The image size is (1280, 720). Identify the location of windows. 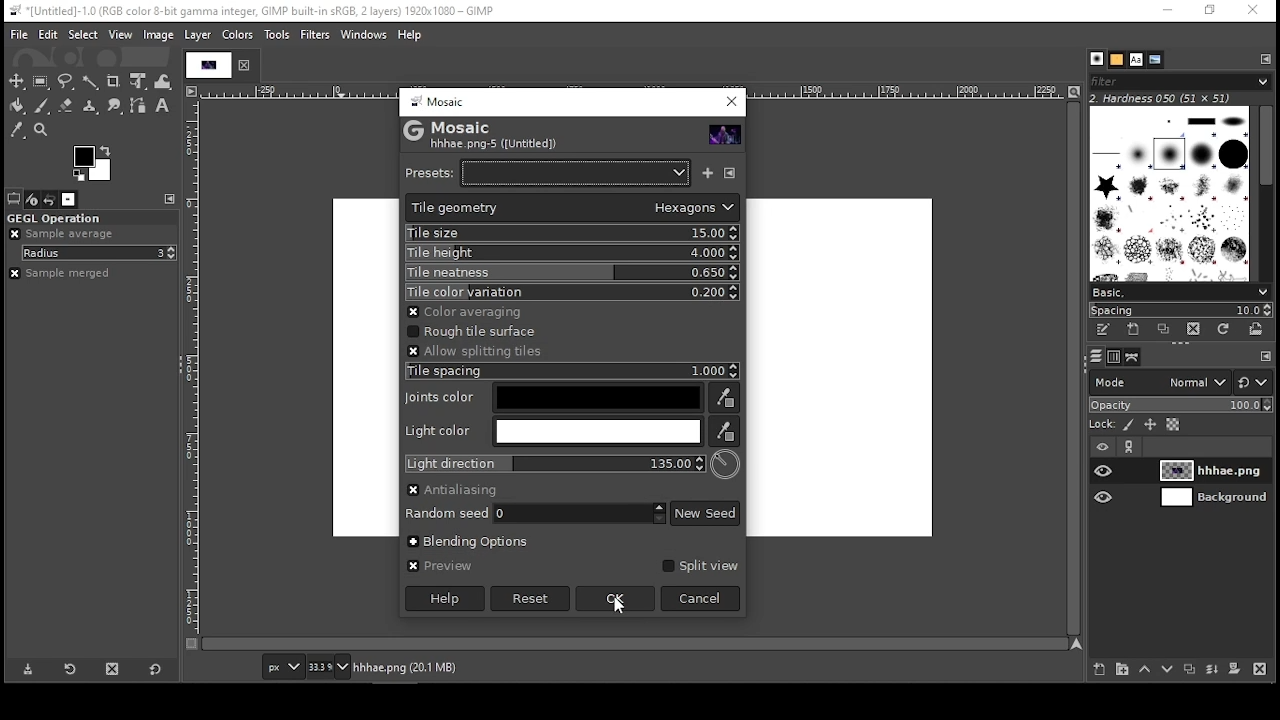
(362, 35).